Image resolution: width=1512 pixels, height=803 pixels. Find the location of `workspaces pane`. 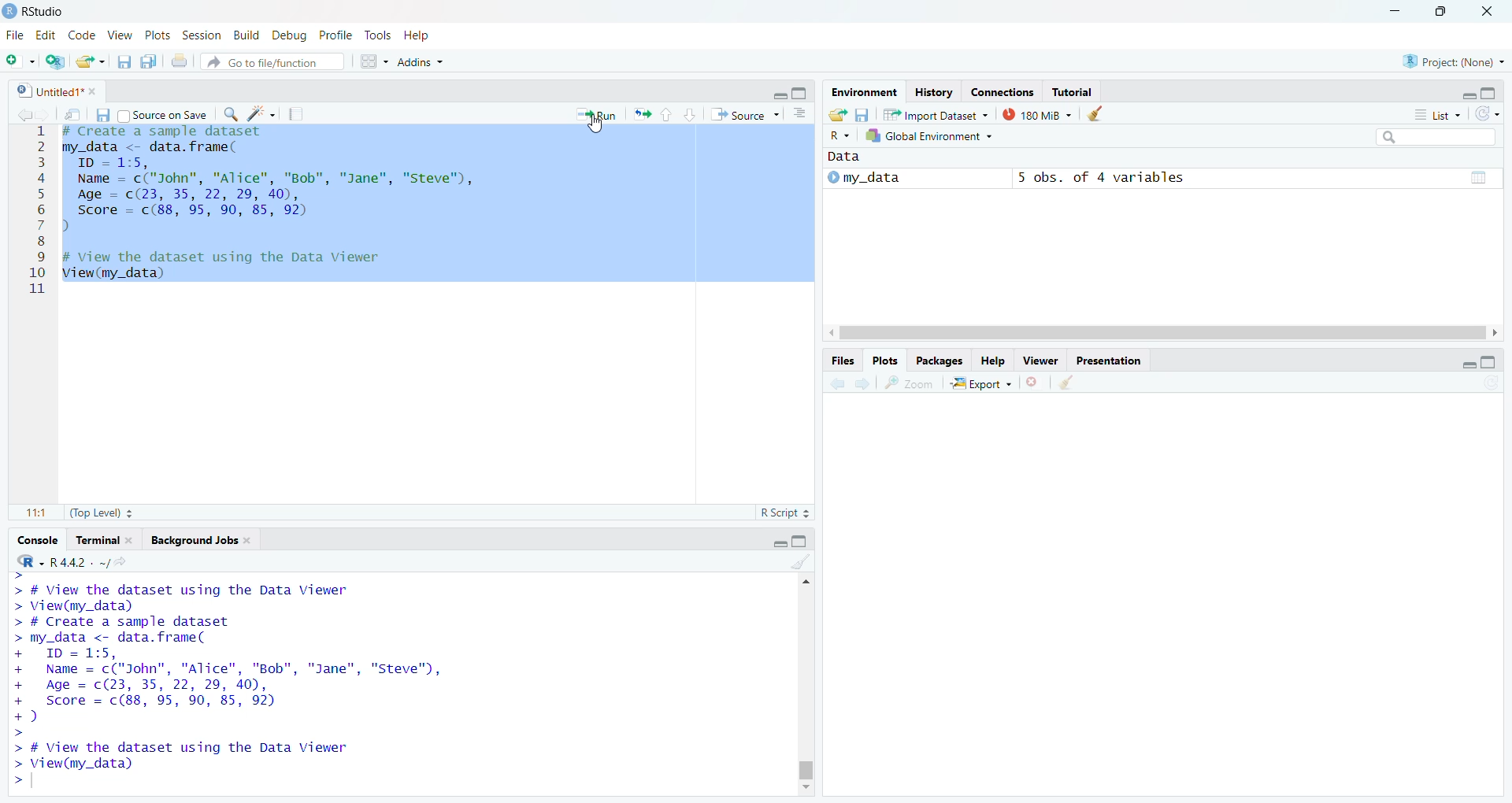

workspaces pane is located at coordinates (373, 64).